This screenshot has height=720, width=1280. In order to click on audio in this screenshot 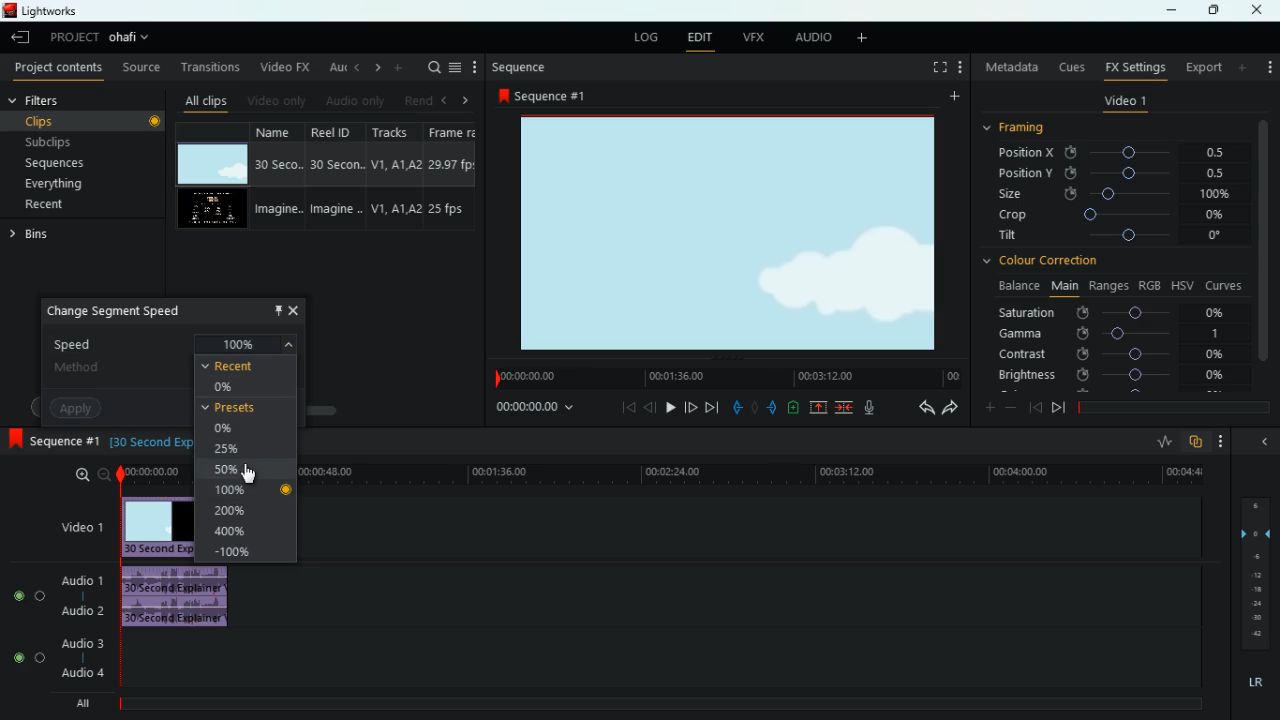, I will do `click(810, 38)`.